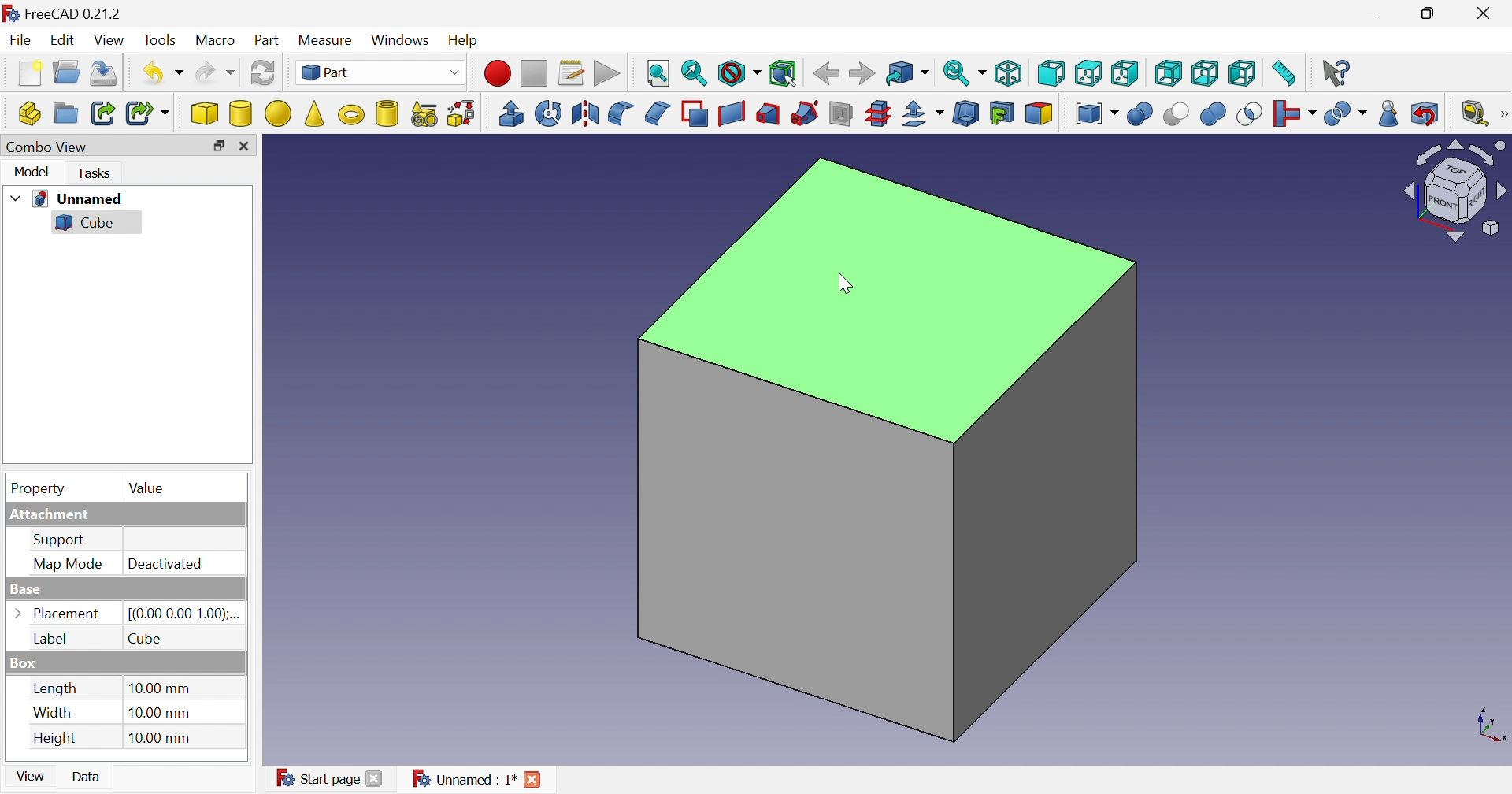  What do you see at coordinates (1179, 115) in the screenshot?
I see `Cut` at bounding box center [1179, 115].